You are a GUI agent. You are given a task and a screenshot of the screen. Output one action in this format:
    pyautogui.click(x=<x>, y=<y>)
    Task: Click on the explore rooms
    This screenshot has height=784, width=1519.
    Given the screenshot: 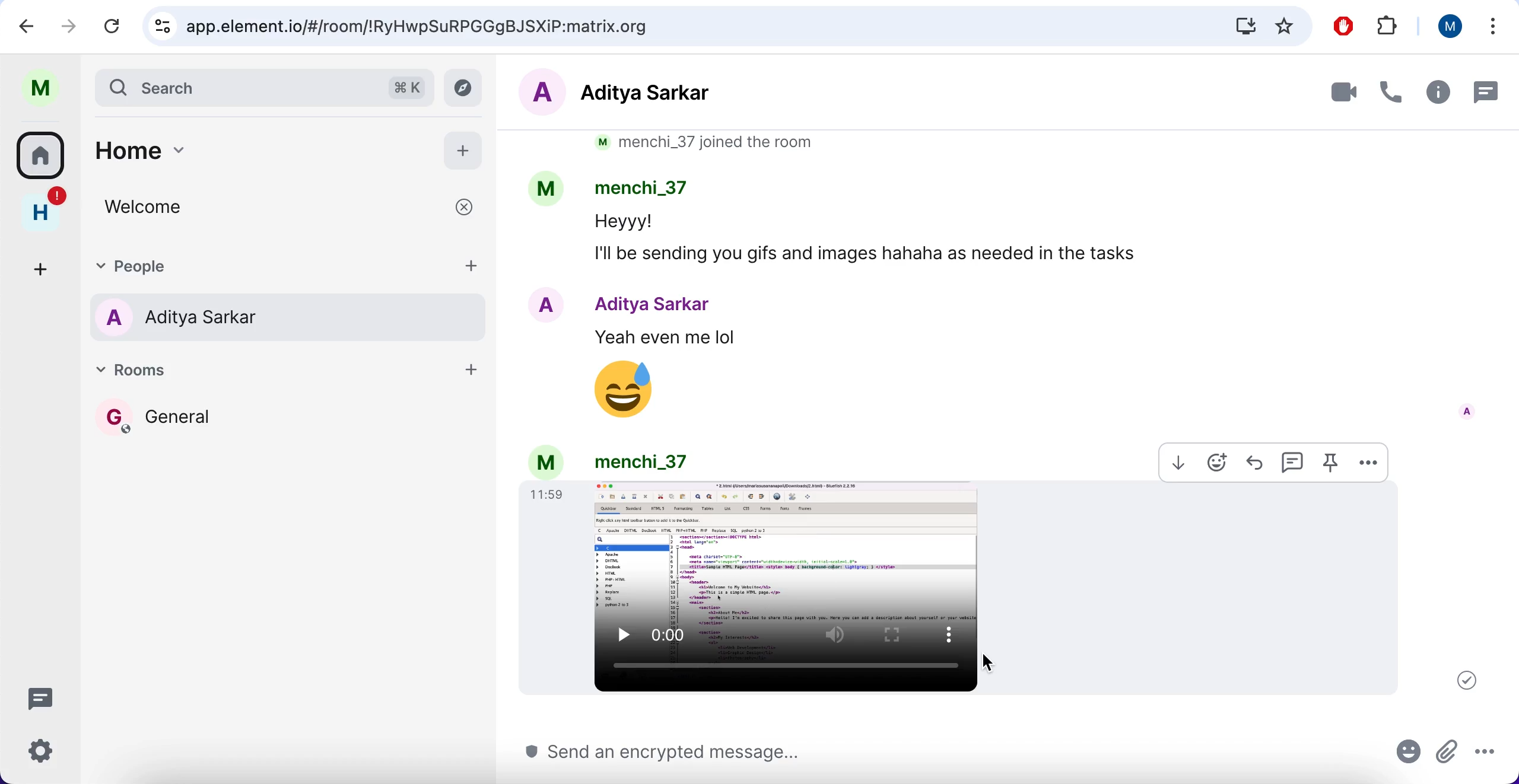 What is the action you would take?
    pyautogui.click(x=463, y=88)
    